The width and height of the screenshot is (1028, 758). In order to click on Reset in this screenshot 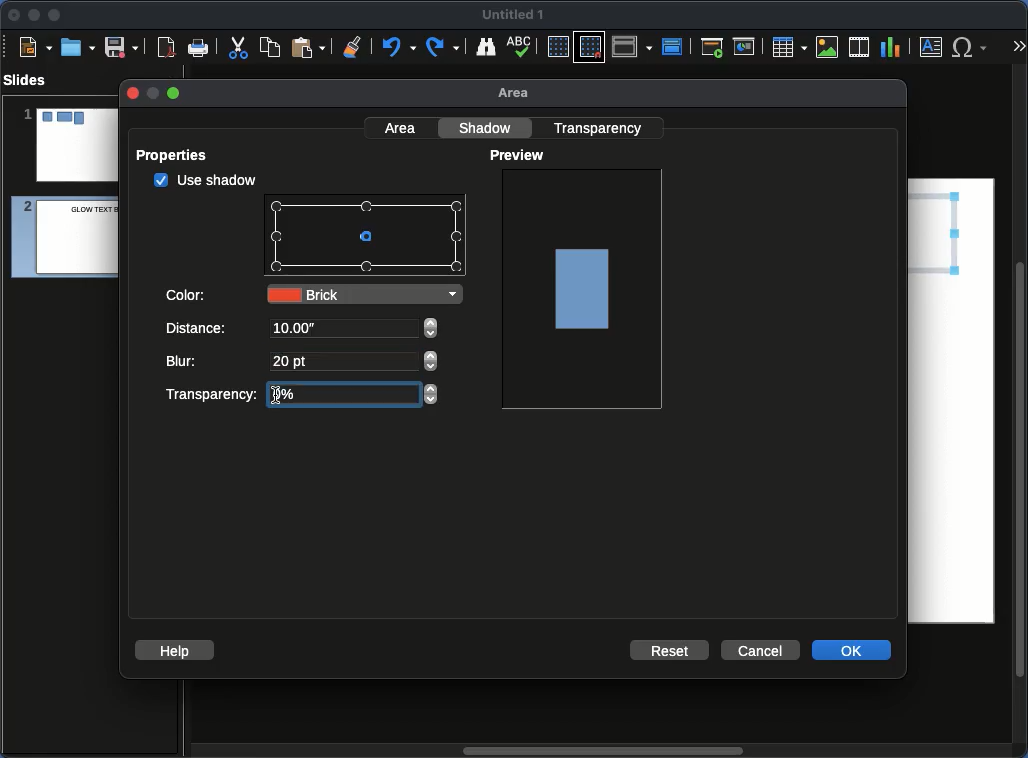, I will do `click(671, 649)`.